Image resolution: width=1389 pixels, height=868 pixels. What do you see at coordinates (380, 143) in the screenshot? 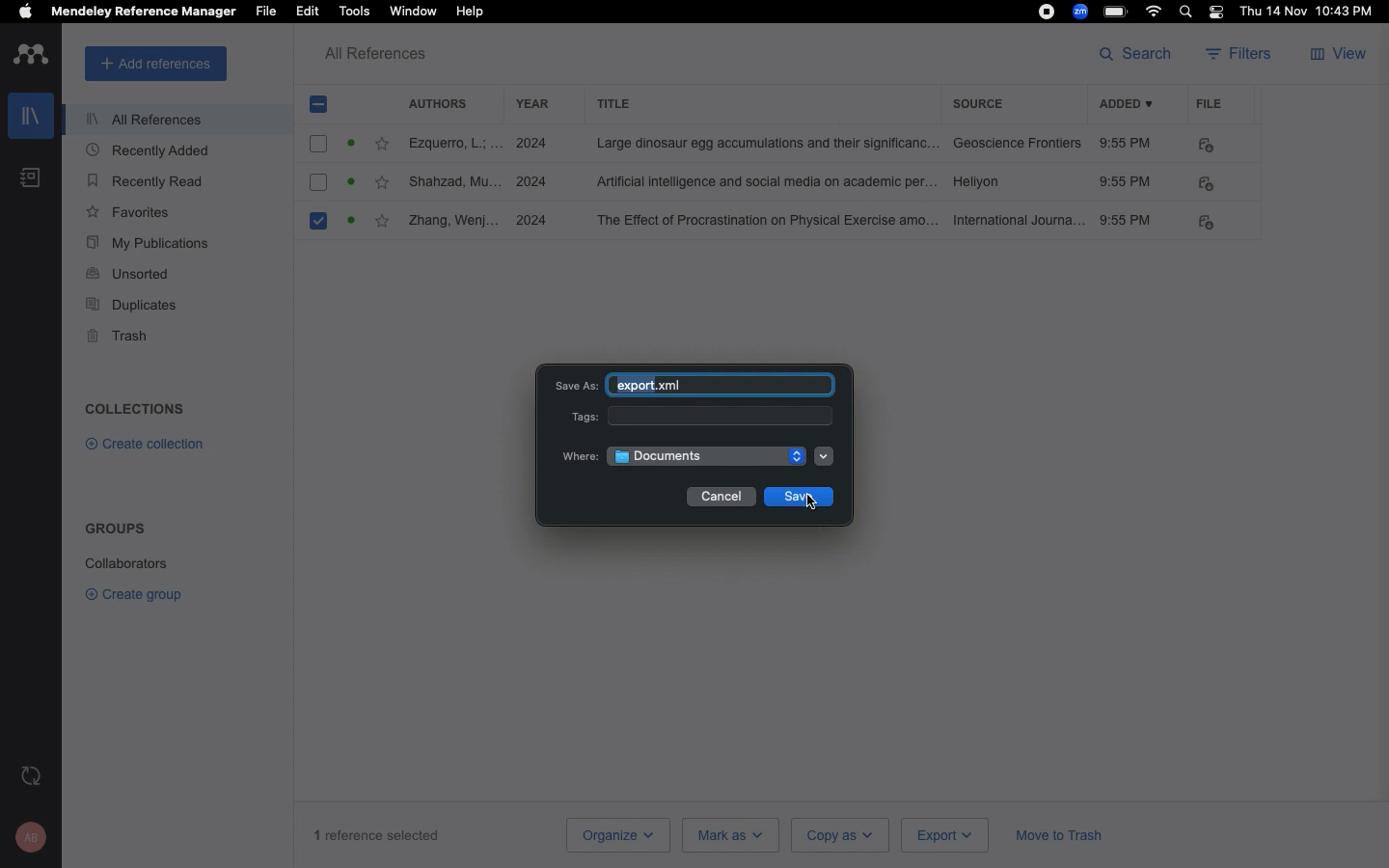
I see `Favorites` at bounding box center [380, 143].